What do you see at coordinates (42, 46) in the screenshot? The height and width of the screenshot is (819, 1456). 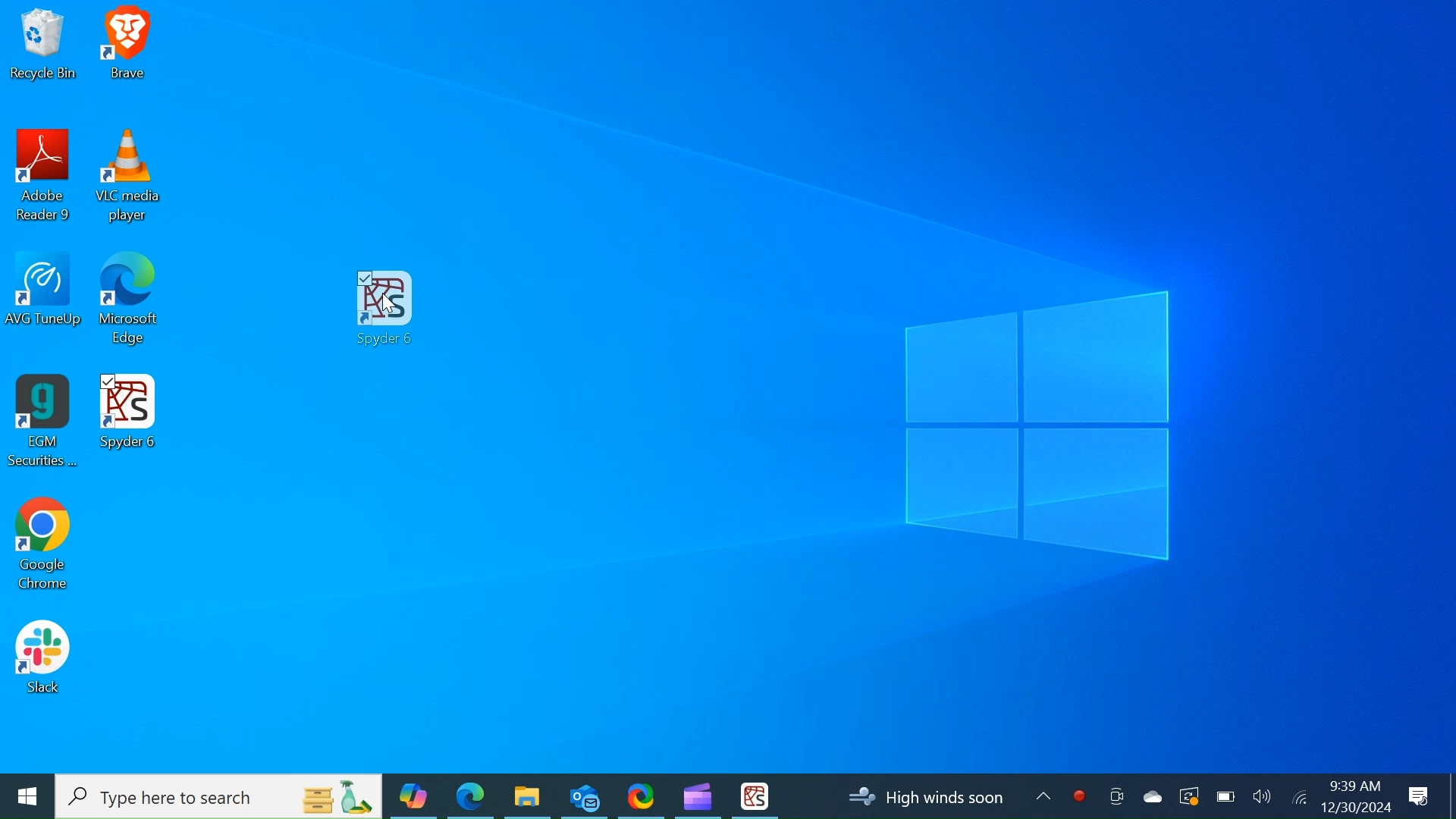 I see `Recycle bin Desktop Icon` at bounding box center [42, 46].